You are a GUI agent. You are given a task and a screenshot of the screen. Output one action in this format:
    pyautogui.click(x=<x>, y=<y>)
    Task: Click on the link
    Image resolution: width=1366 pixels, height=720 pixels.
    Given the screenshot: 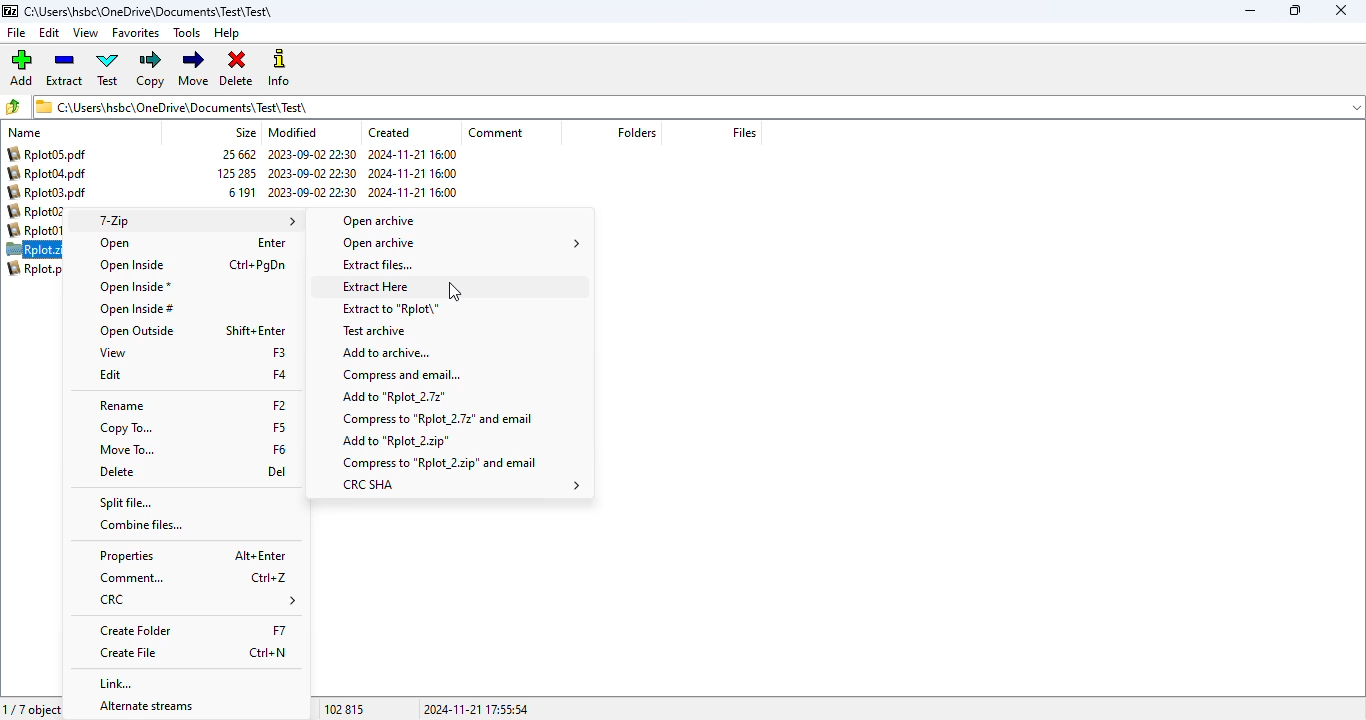 What is the action you would take?
    pyautogui.click(x=117, y=683)
    